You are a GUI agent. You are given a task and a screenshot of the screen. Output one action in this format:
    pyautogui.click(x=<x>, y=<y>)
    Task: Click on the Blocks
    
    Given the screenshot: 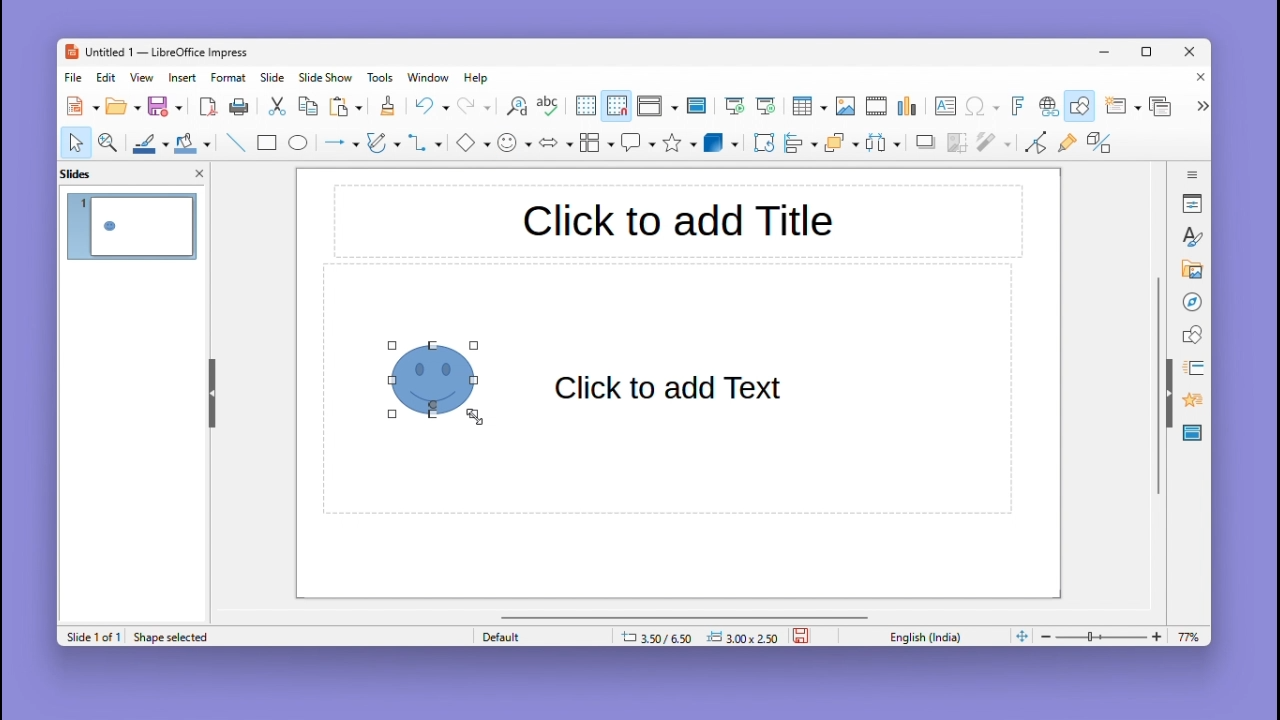 What is the action you would take?
    pyautogui.click(x=597, y=142)
    